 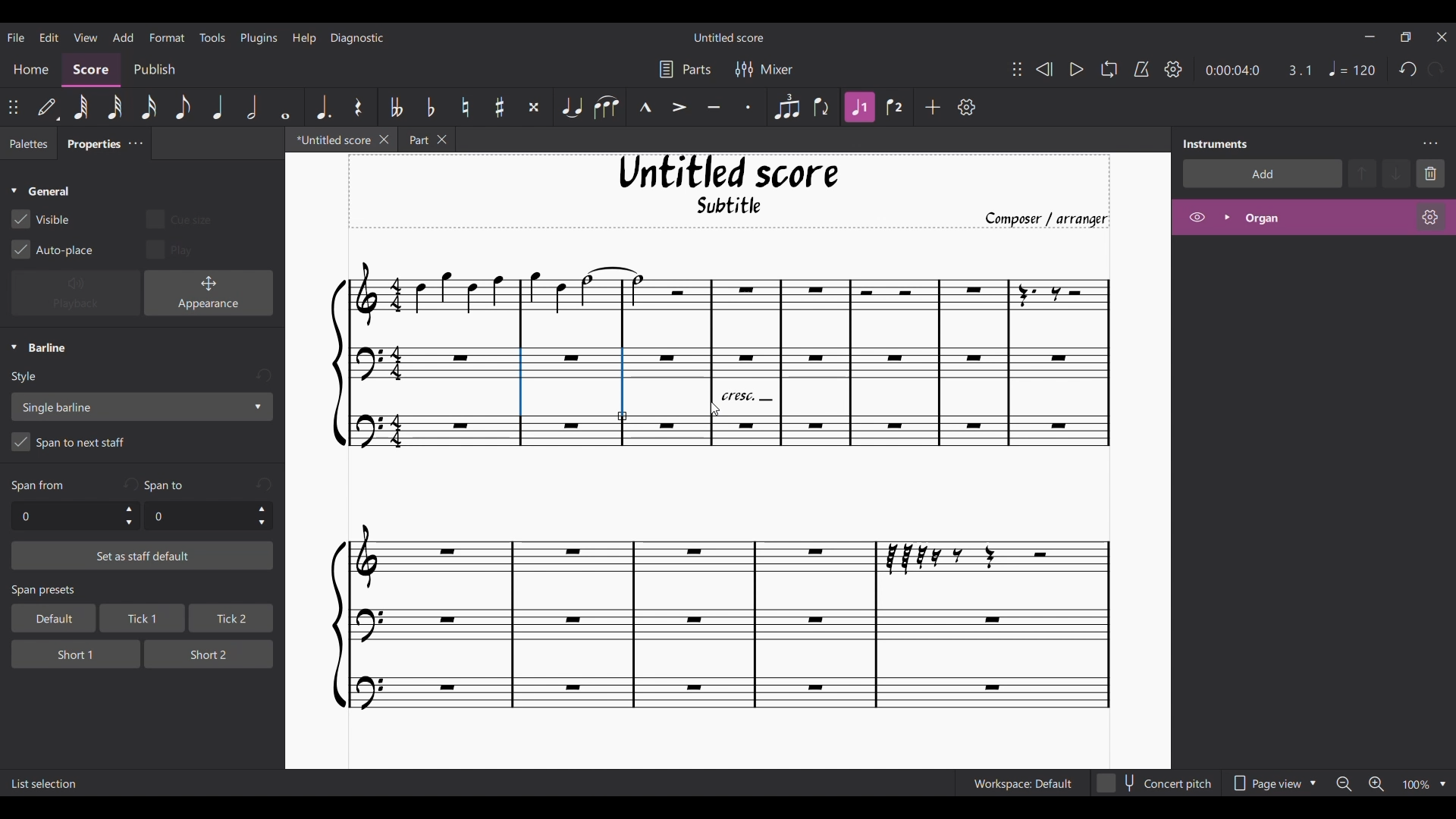 I want to click on Half note, so click(x=253, y=106).